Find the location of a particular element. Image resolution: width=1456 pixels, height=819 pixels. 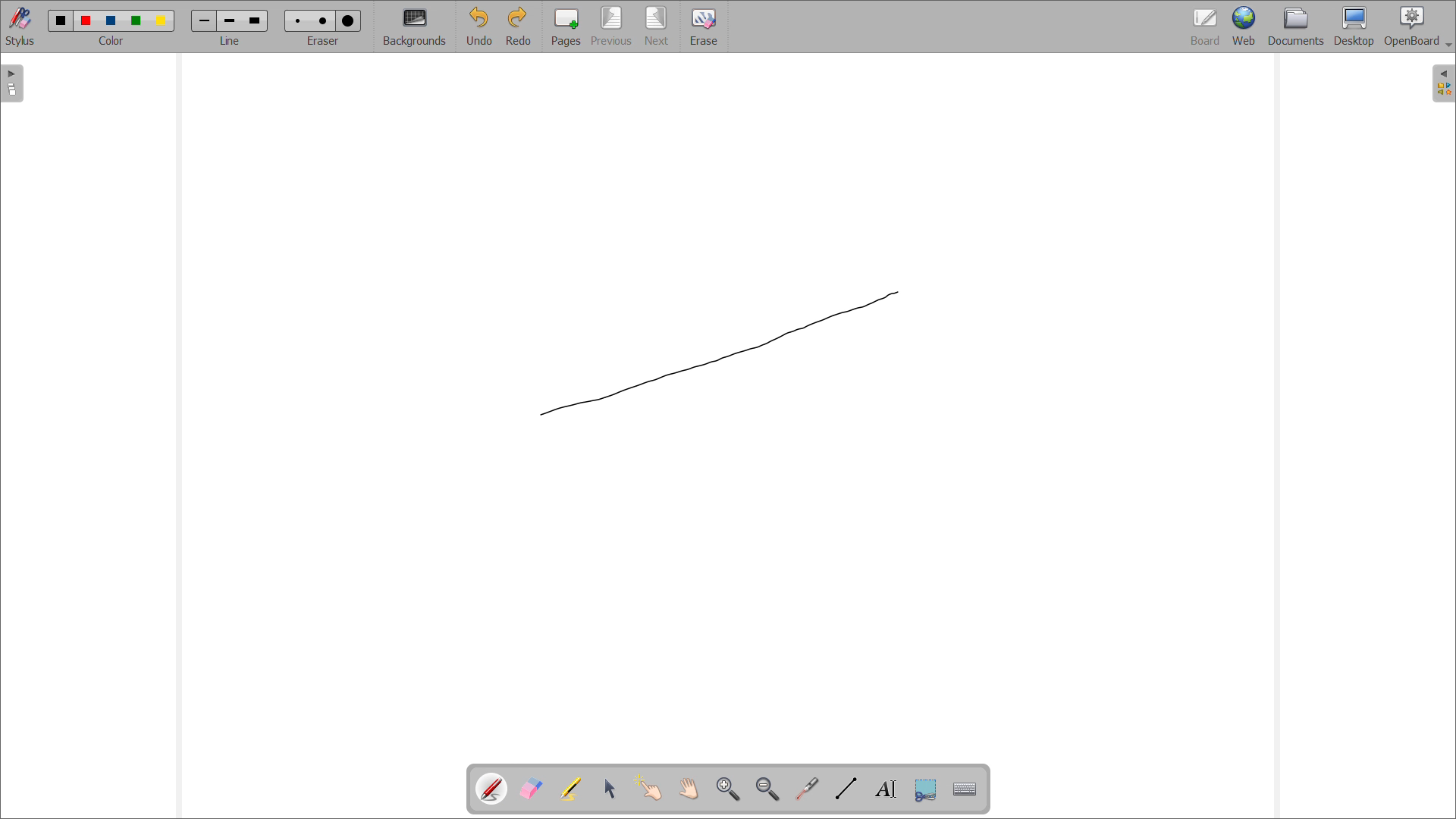

pen tool is located at coordinates (494, 789).